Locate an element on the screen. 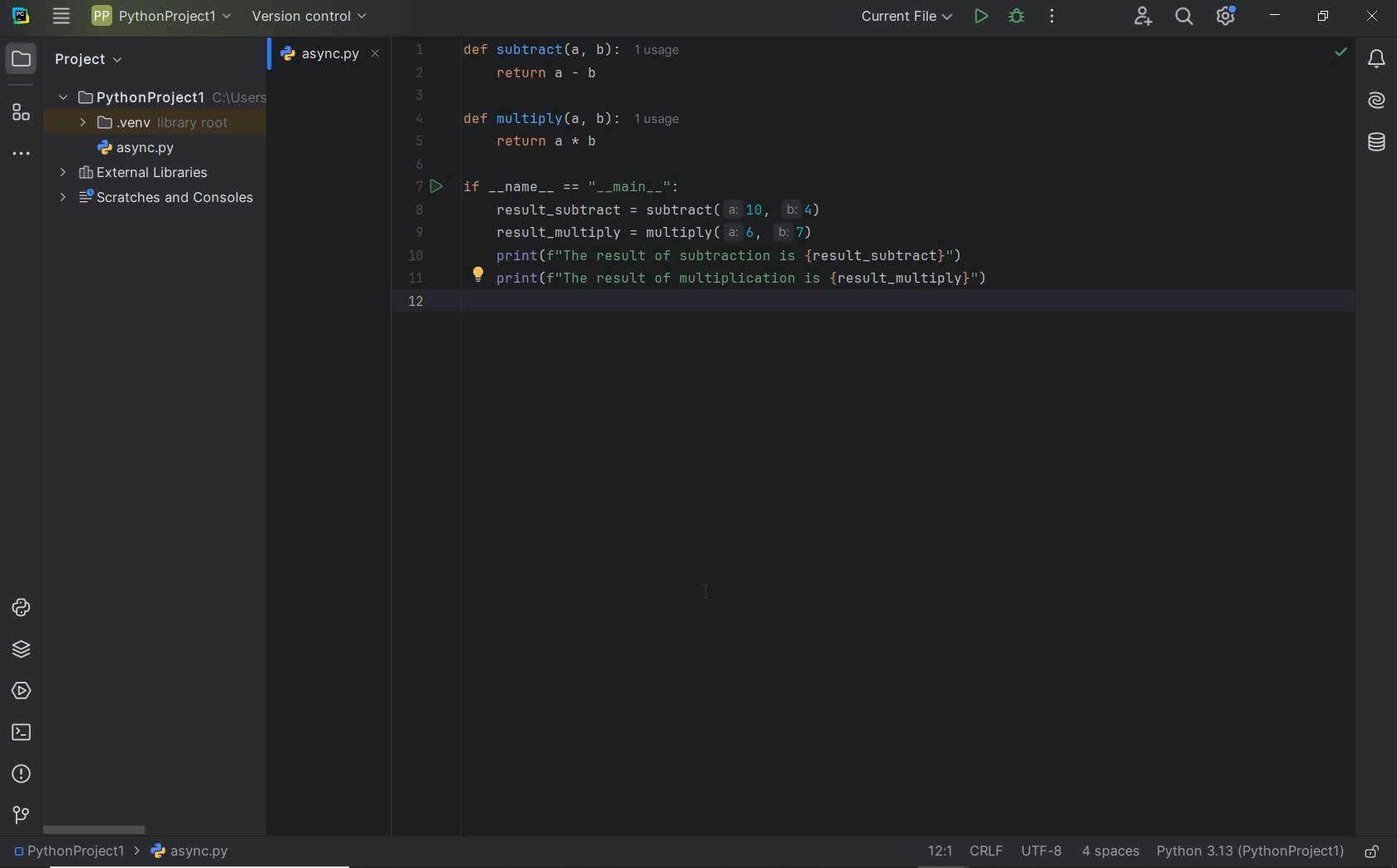 This screenshot has width=1397, height=868. Indent is located at coordinates (1110, 853).